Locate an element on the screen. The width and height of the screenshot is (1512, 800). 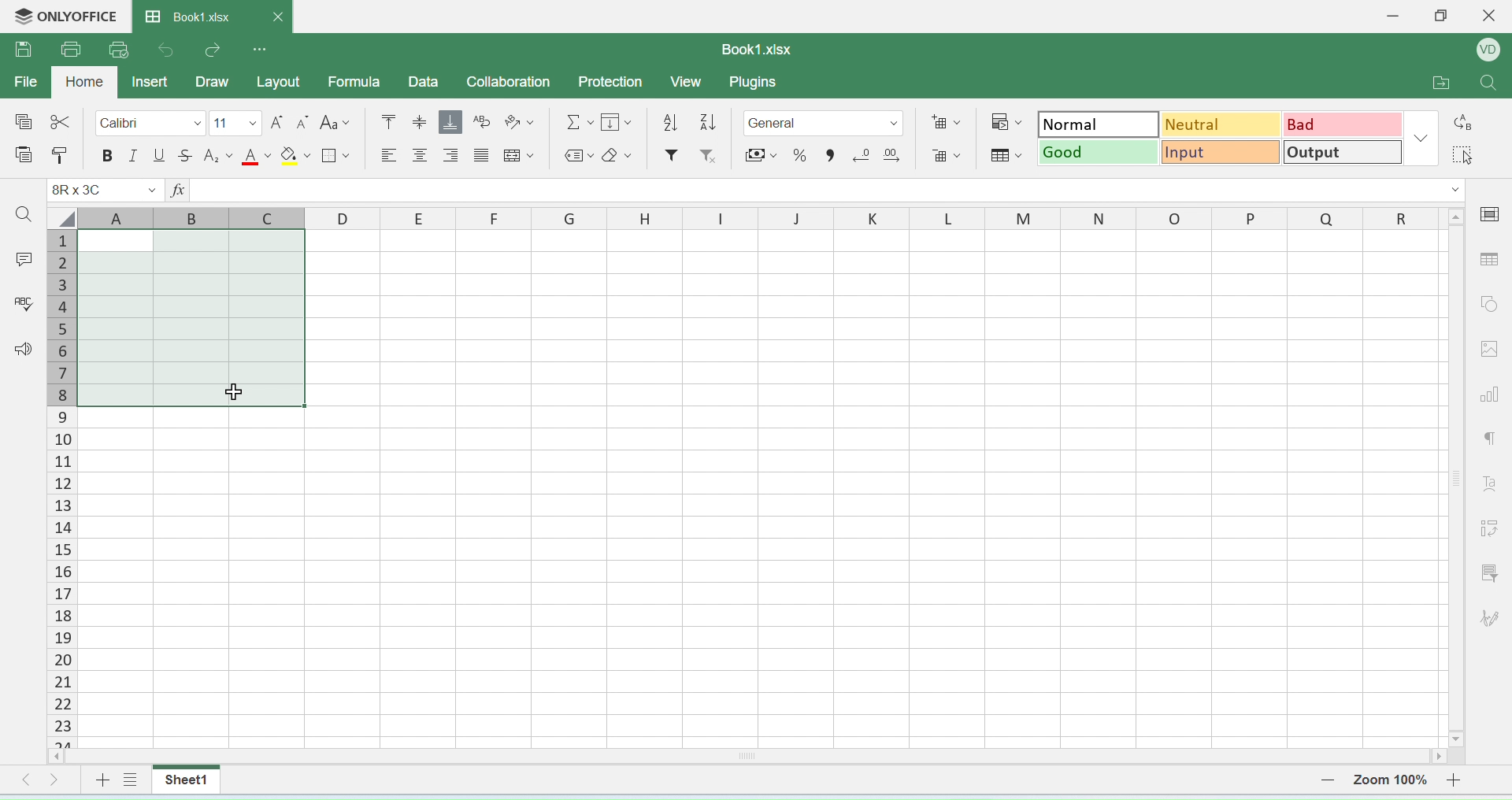
bolde is located at coordinates (106, 157).